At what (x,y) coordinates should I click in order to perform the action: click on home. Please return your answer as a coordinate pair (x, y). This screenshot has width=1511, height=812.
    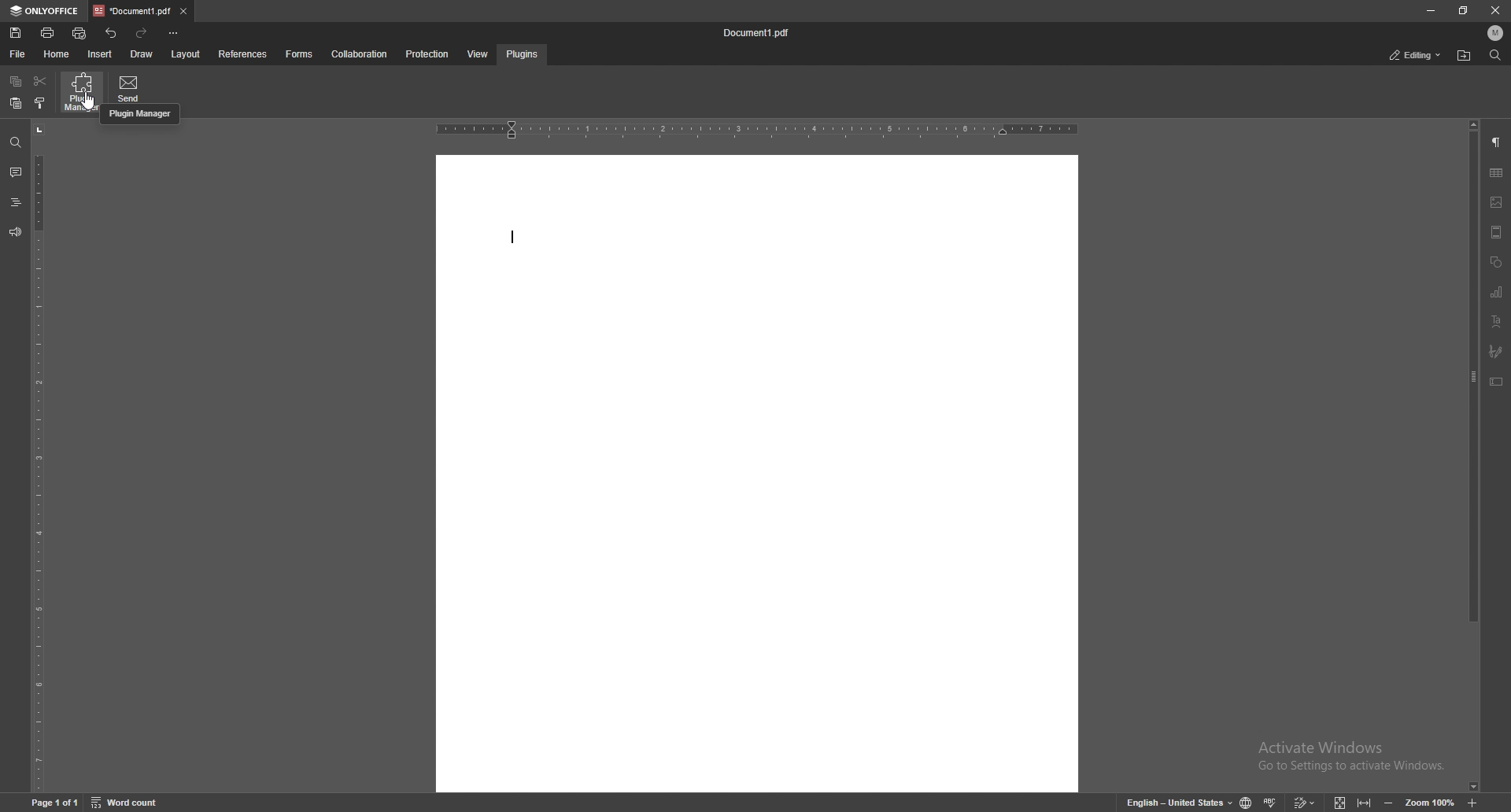
    Looking at the image, I should click on (57, 54).